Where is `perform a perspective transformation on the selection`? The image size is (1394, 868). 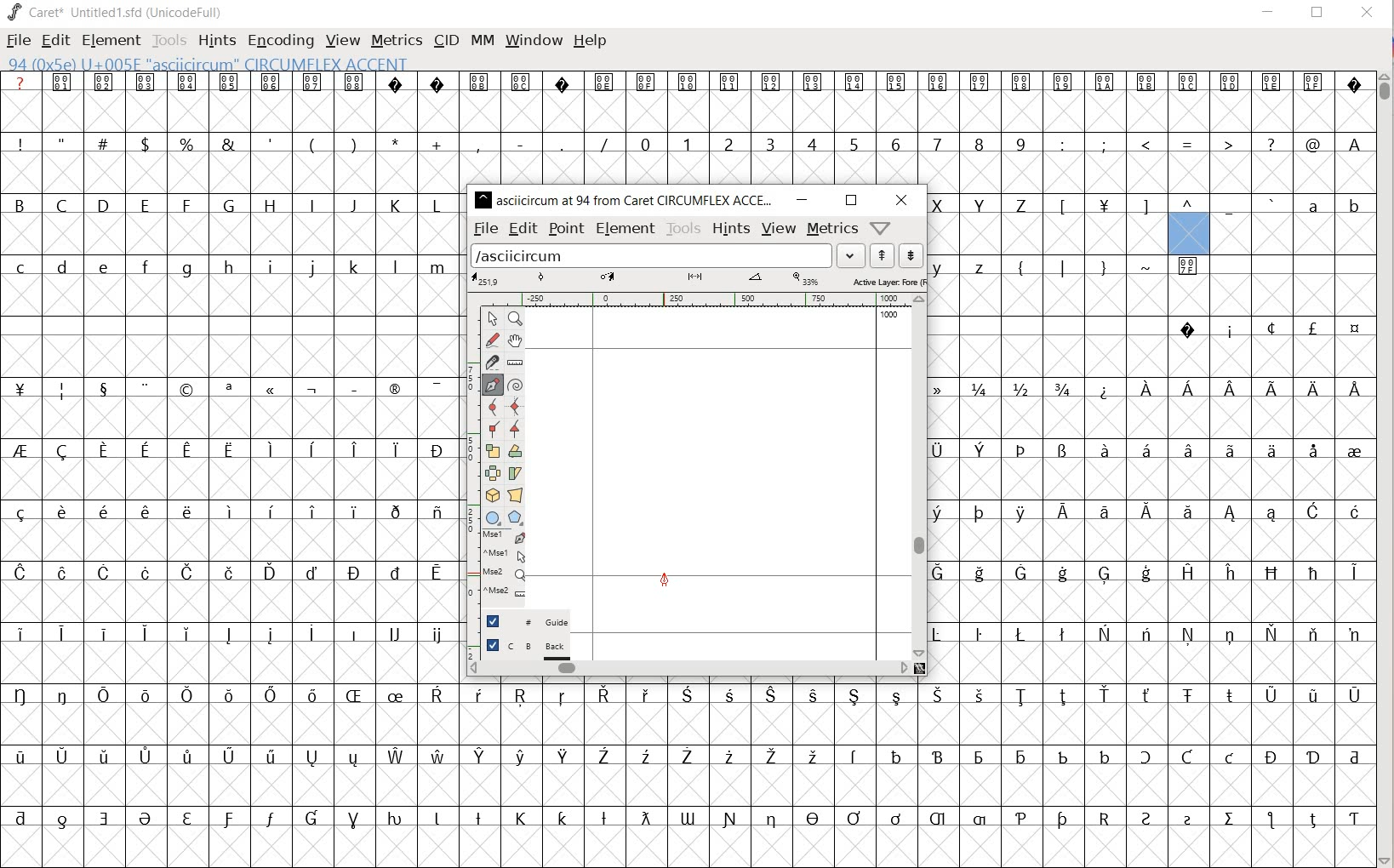 perform a perspective transformation on the selection is located at coordinates (517, 494).